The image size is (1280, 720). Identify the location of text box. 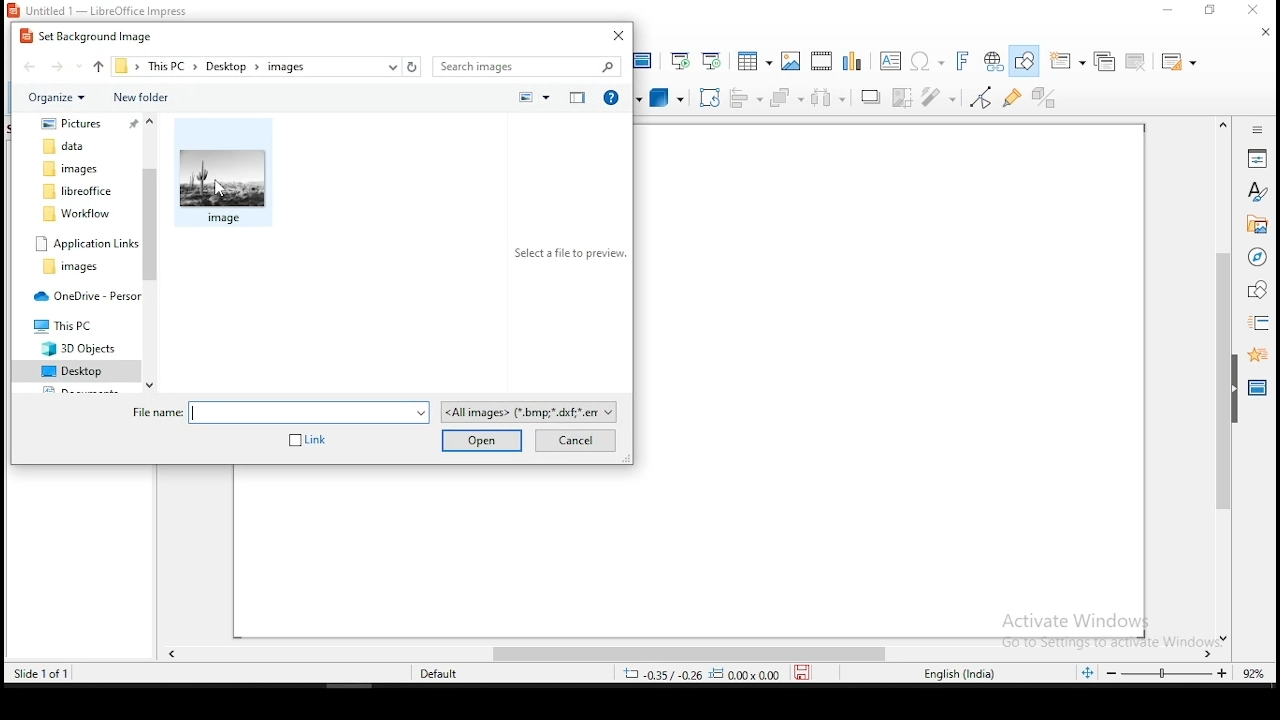
(891, 62).